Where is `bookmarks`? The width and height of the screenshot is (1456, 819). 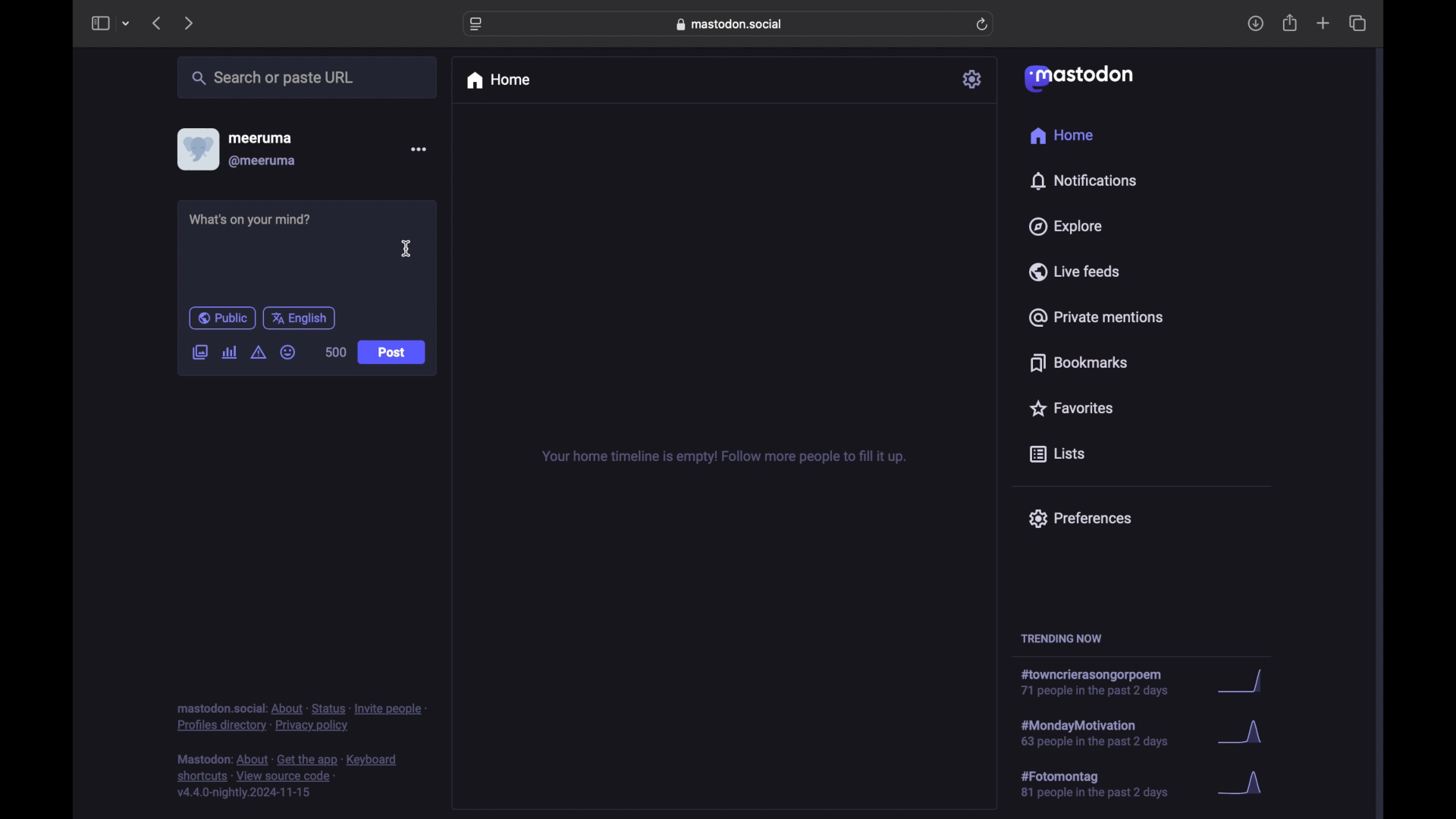
bookmarks is located at coordinates (1081, 362).